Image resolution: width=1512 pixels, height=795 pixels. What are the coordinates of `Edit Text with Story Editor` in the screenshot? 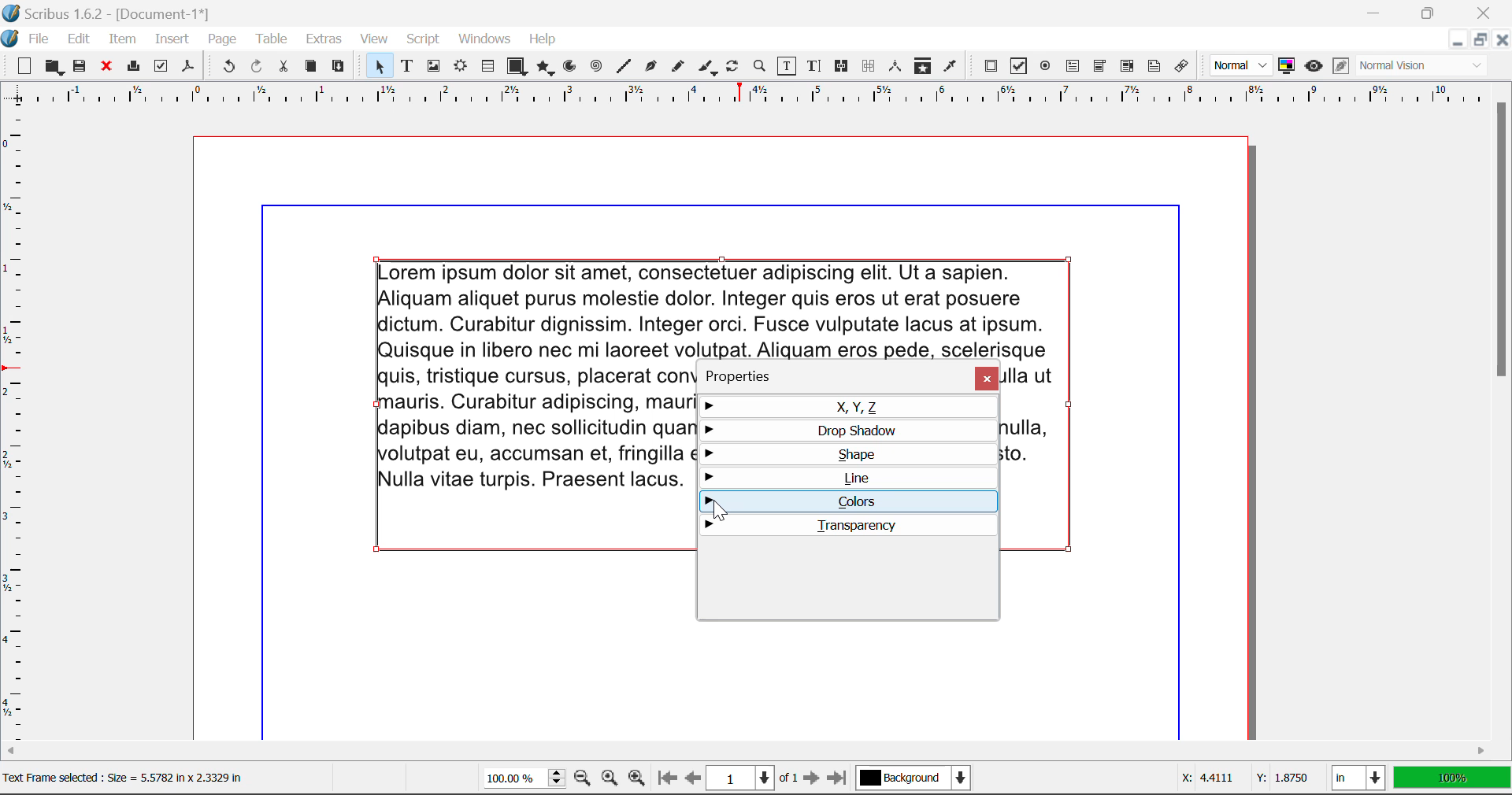 It's located at (817, 66).